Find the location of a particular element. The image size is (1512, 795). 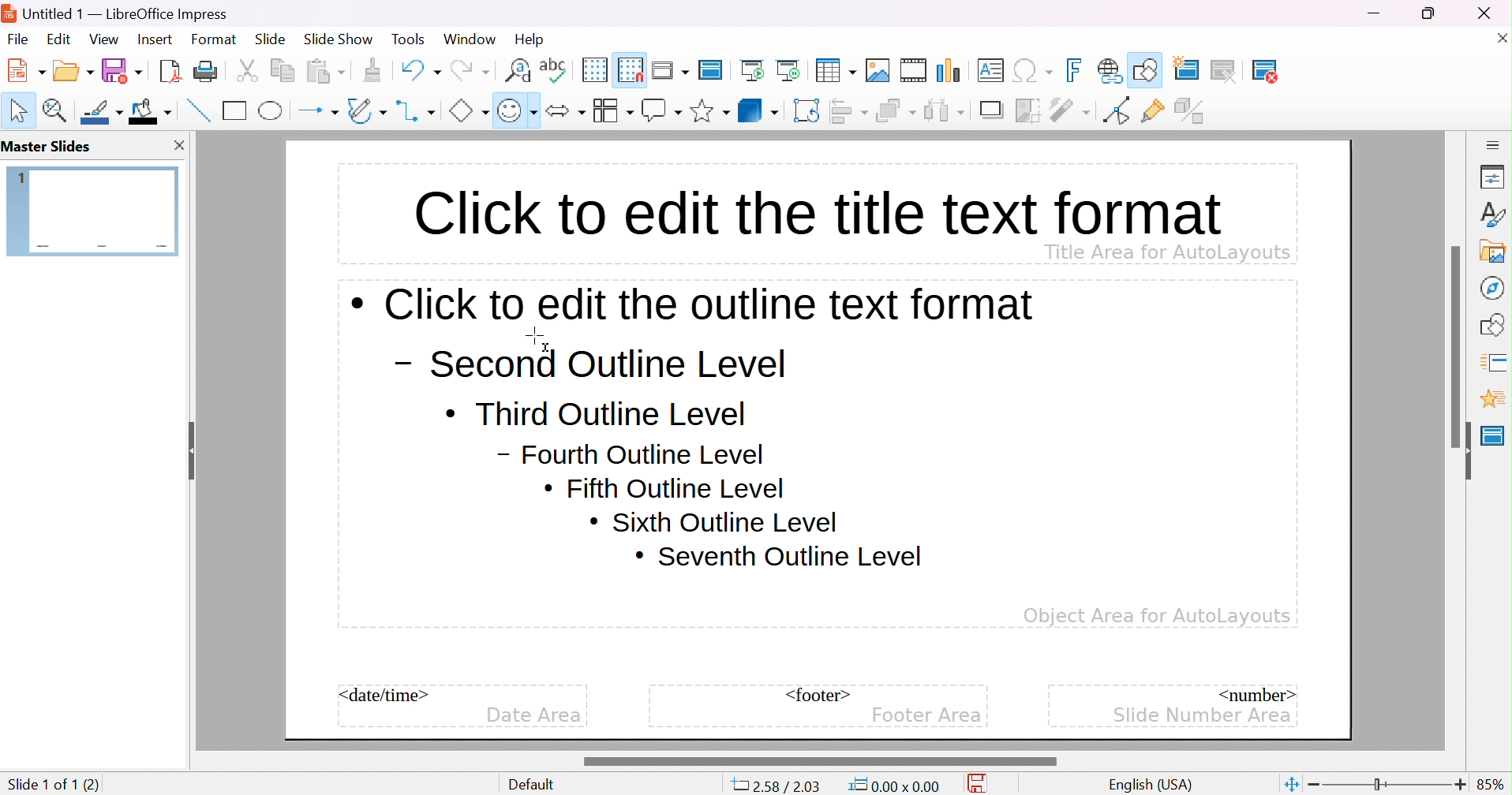

insert is located at coordinates (153, 38).